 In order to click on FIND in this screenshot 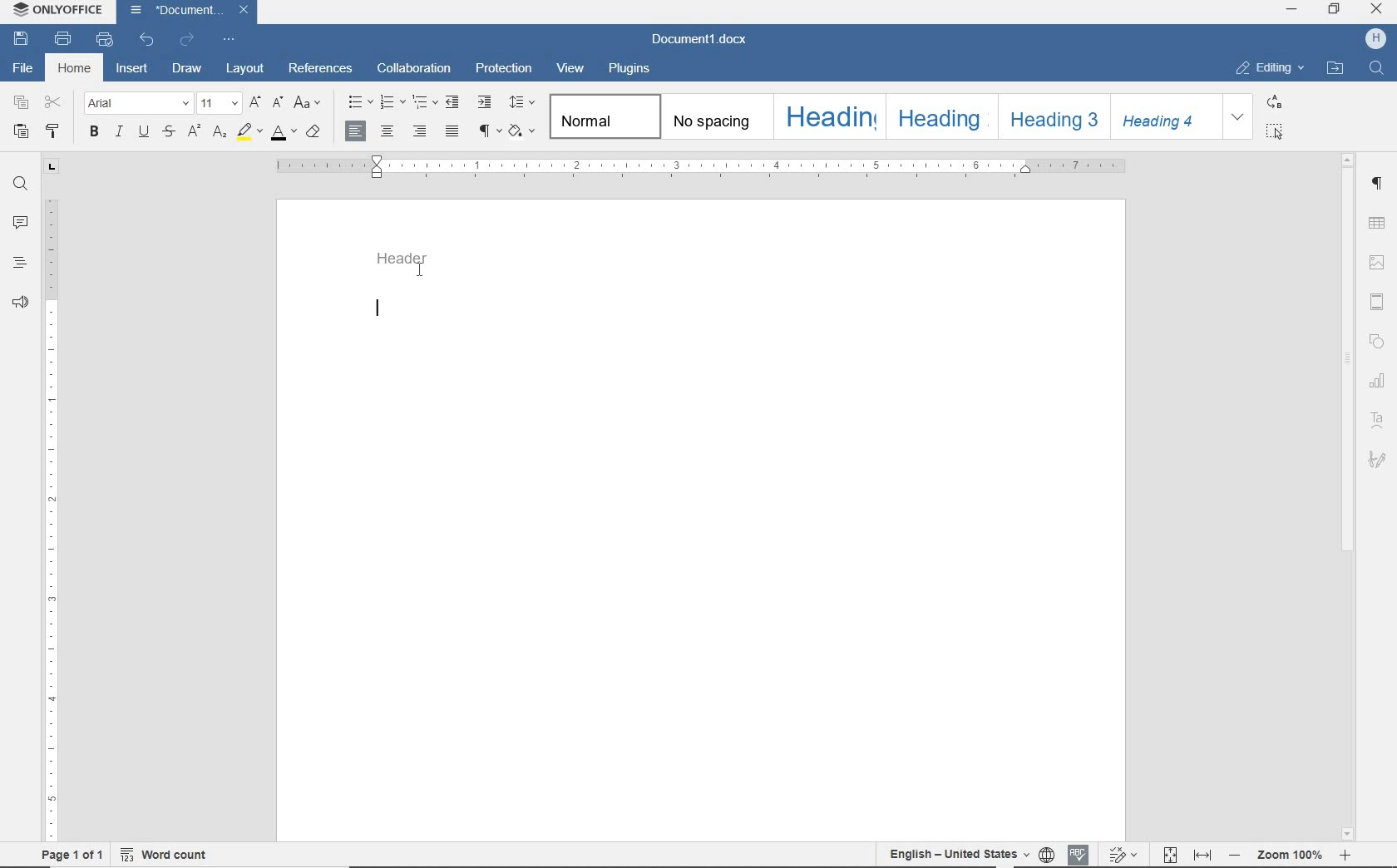, I will do `click(1375, 70)`.